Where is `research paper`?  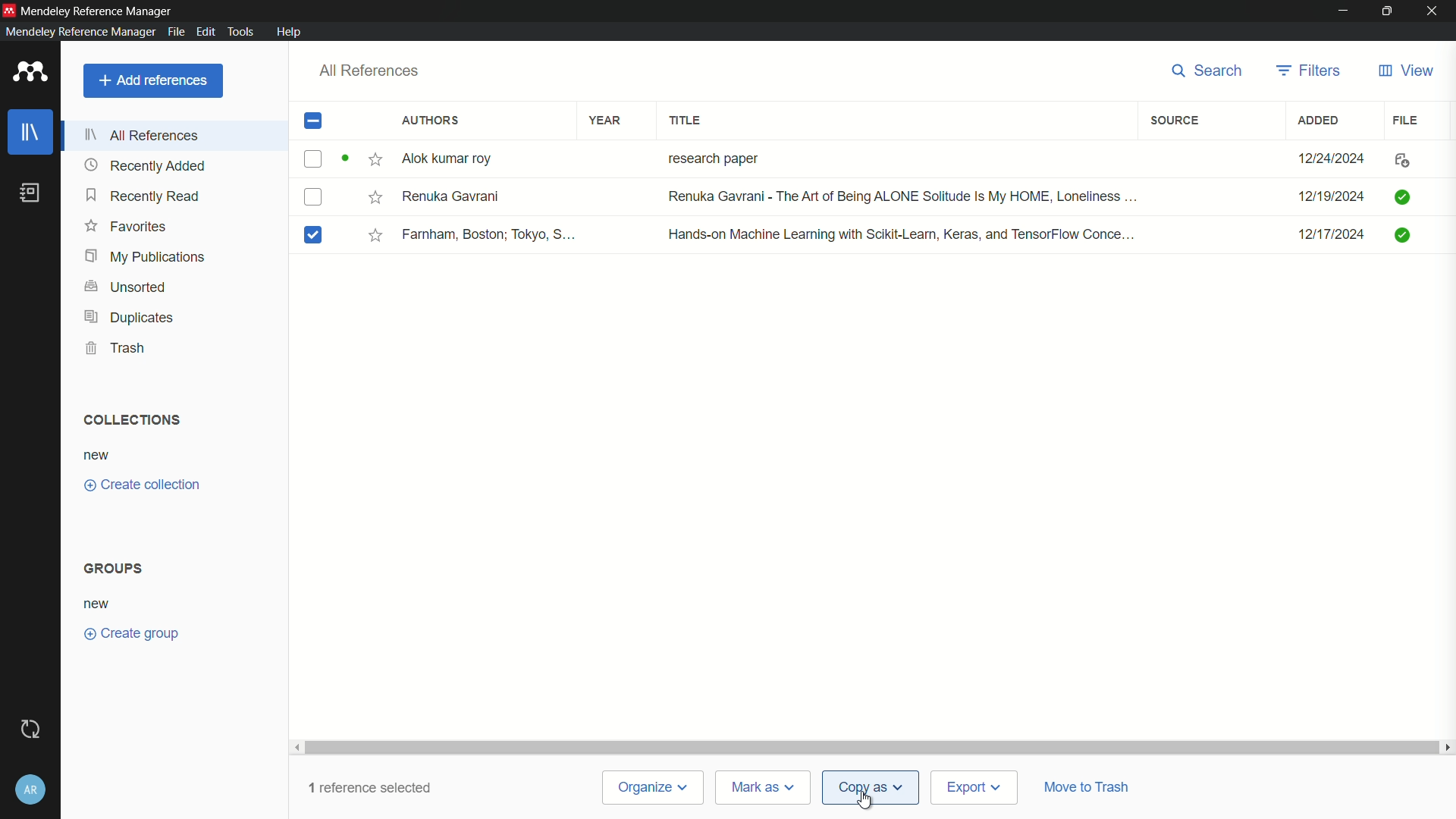
research paper is located at coordinates (711, 156).